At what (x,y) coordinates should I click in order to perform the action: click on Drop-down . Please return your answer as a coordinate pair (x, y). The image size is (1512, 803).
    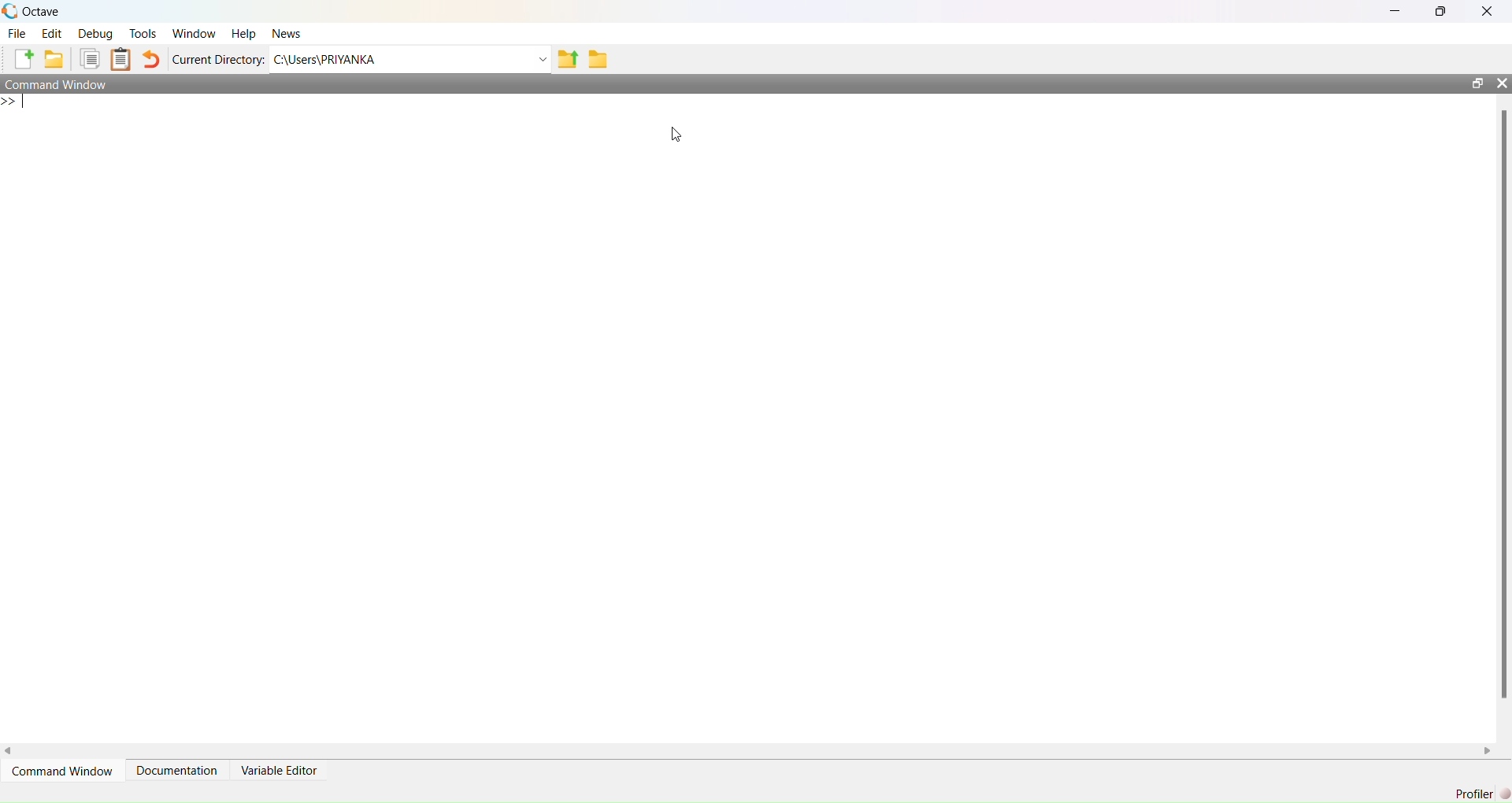
    Looking at the image, I should click on (542, 60).